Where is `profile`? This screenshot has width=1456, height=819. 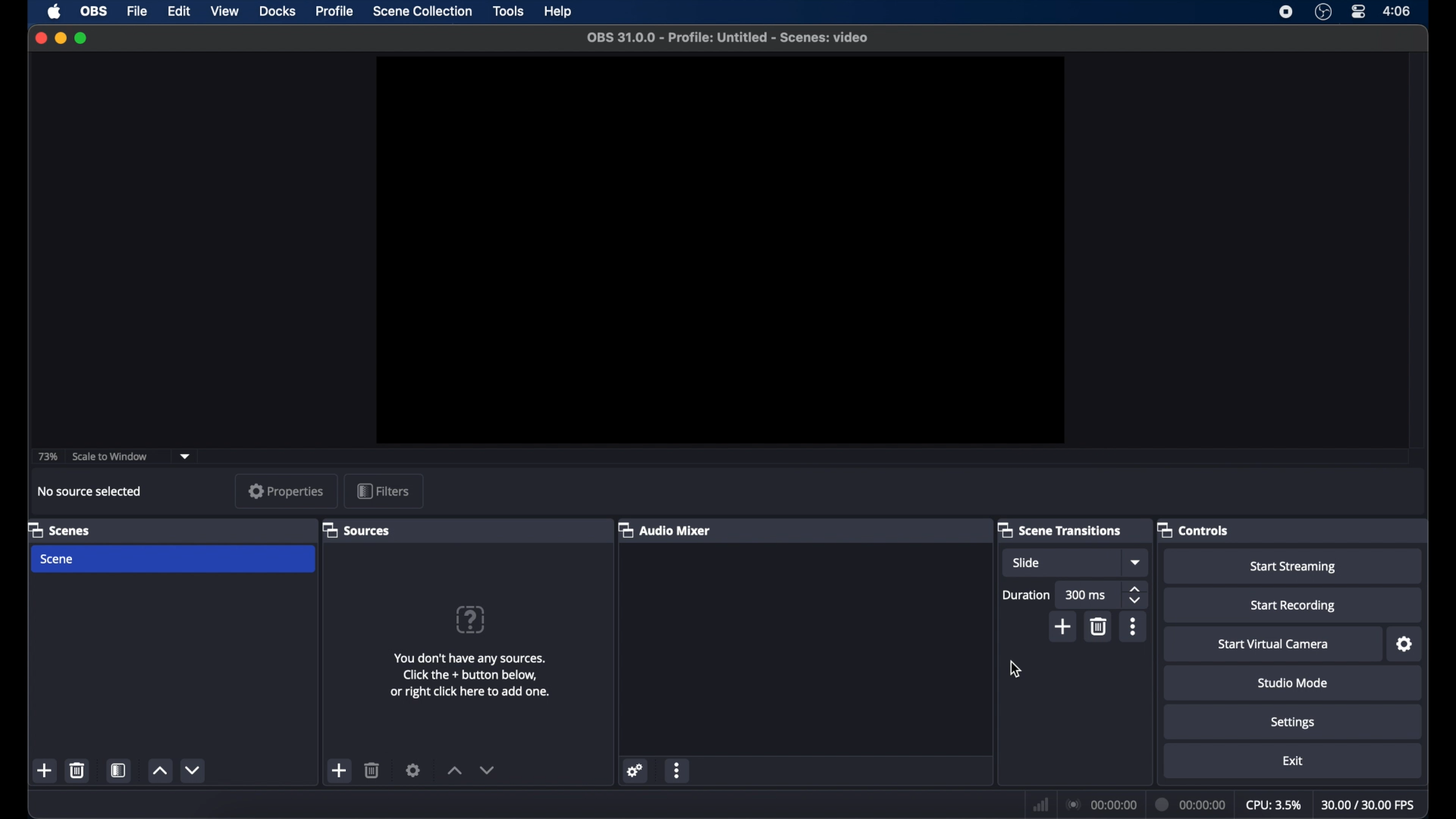 profile is located at coordinates (336, 11).